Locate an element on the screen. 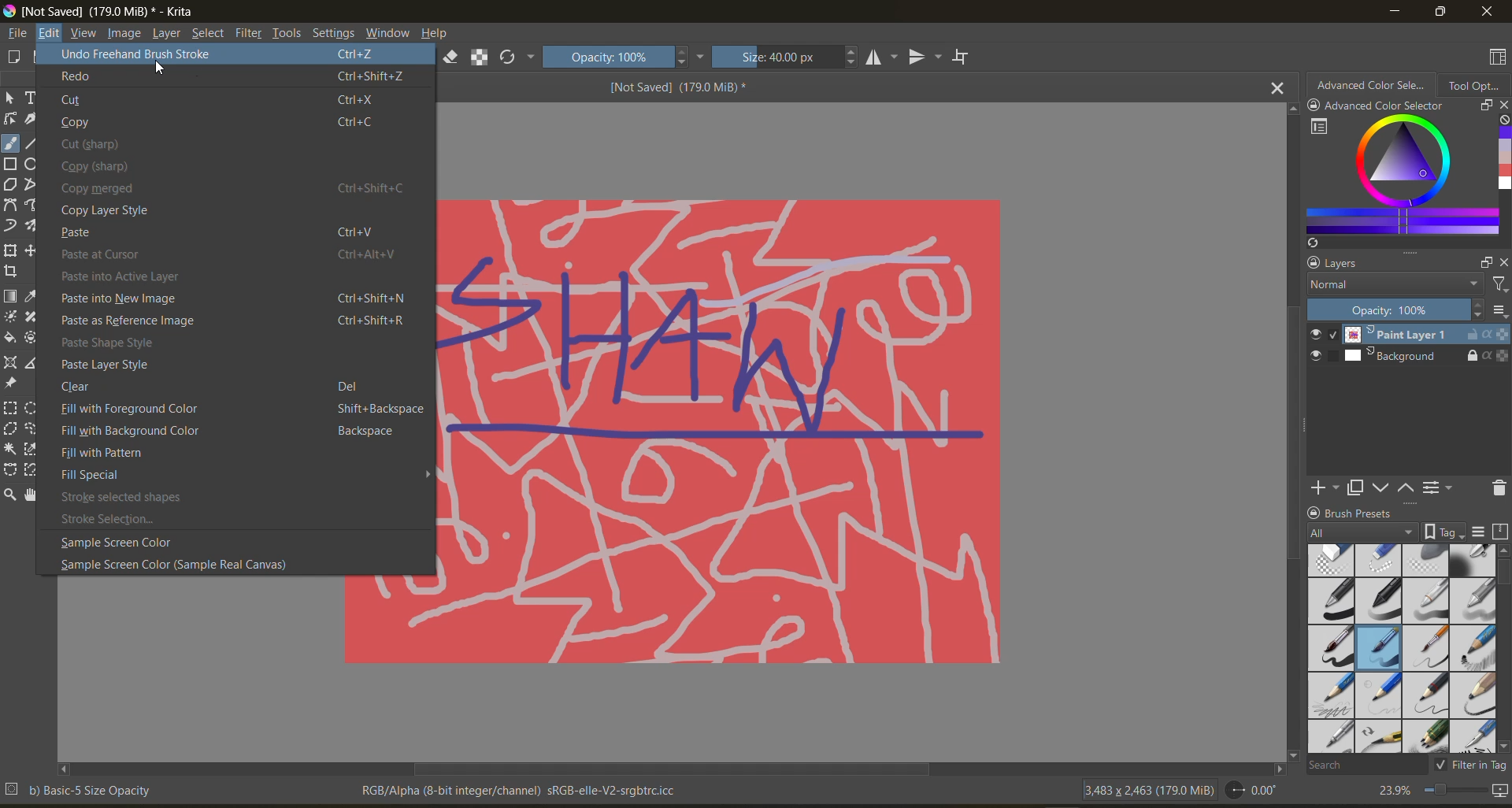  fill with foreground color   Shift+Backspace is located at coordinates (242, 409).